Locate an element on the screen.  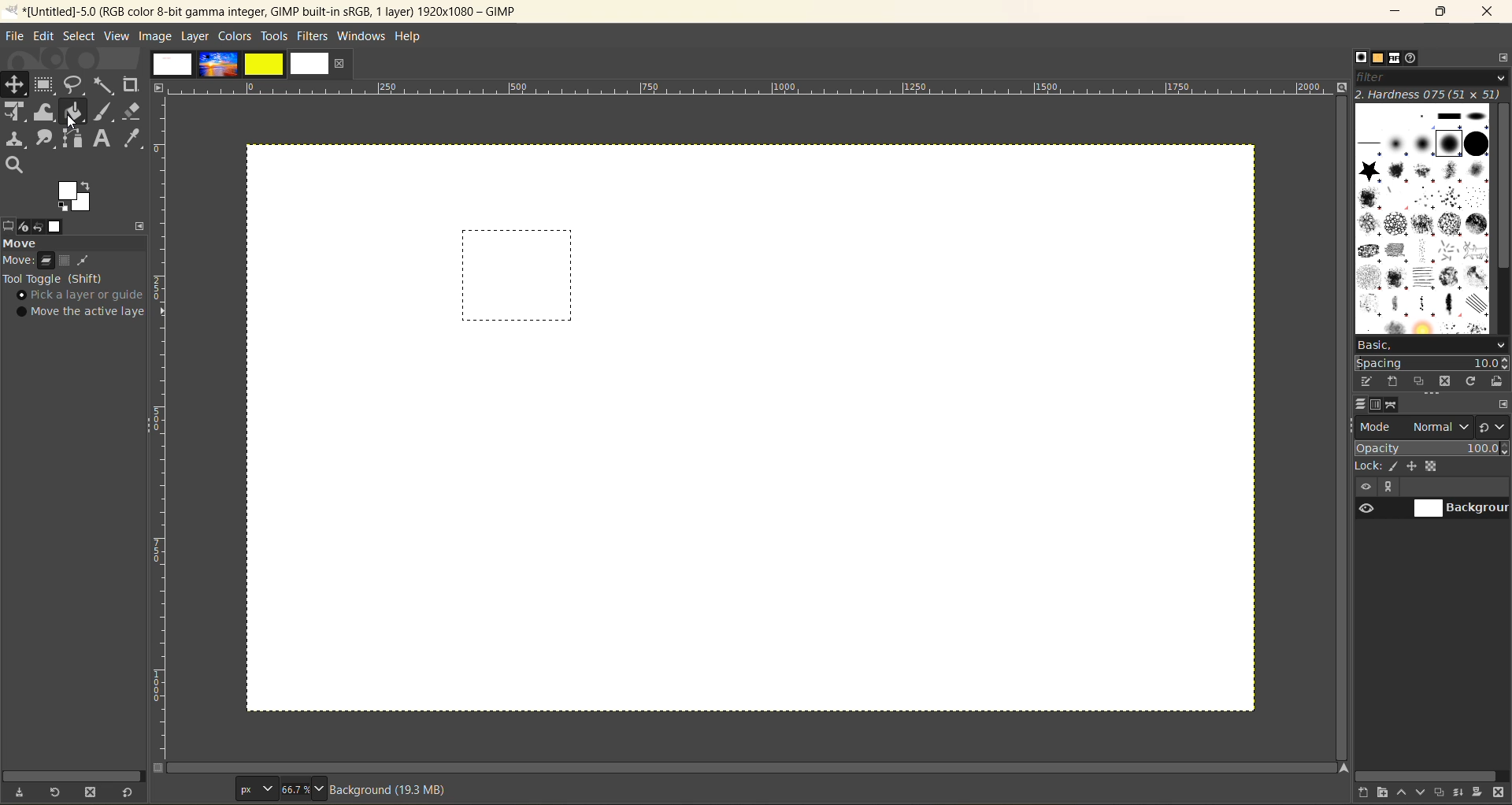
delete this brush is located at coordinates (1444, 381).